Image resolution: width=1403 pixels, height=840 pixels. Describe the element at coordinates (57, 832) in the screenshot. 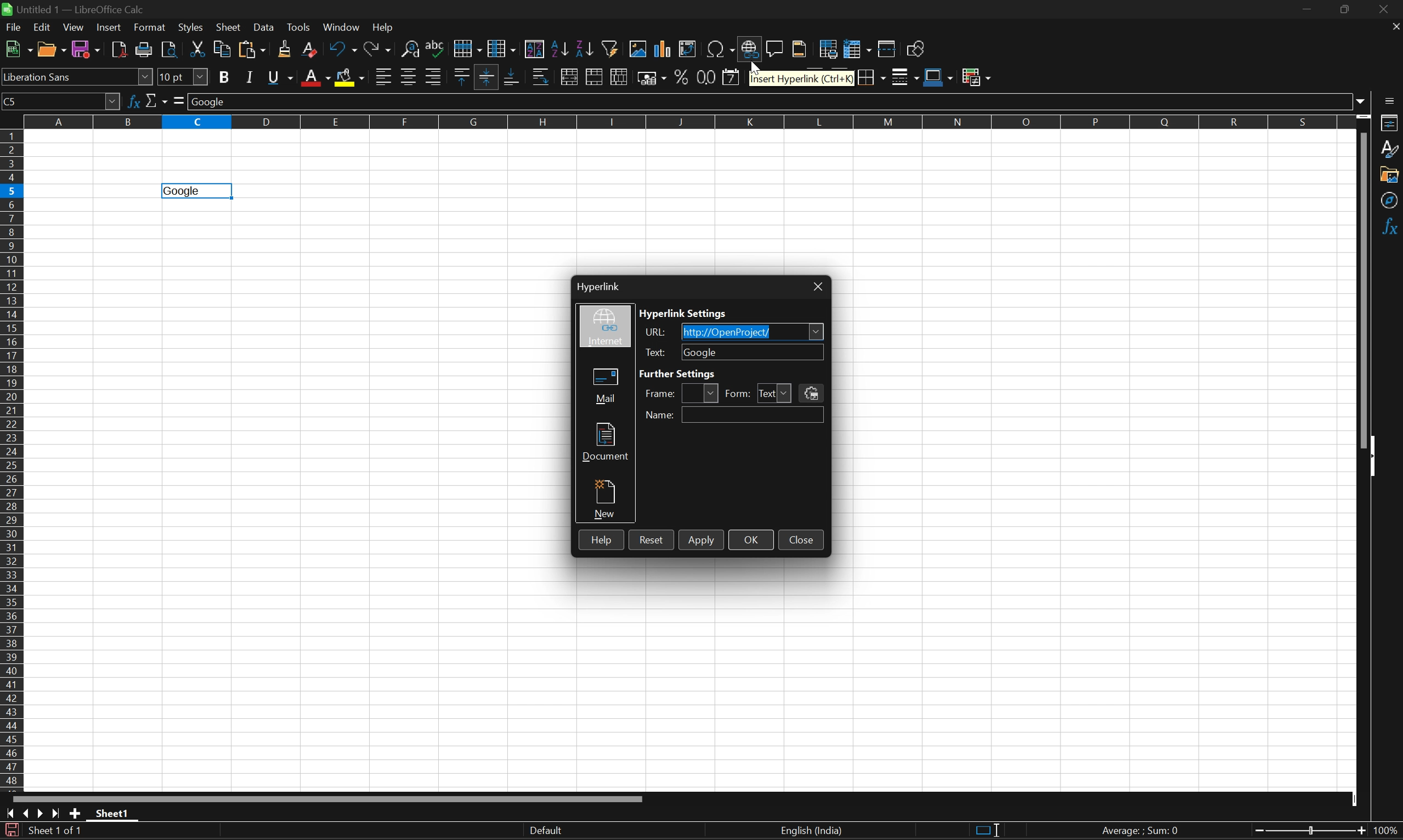

I see `Sheet 1 of 1` at that location.